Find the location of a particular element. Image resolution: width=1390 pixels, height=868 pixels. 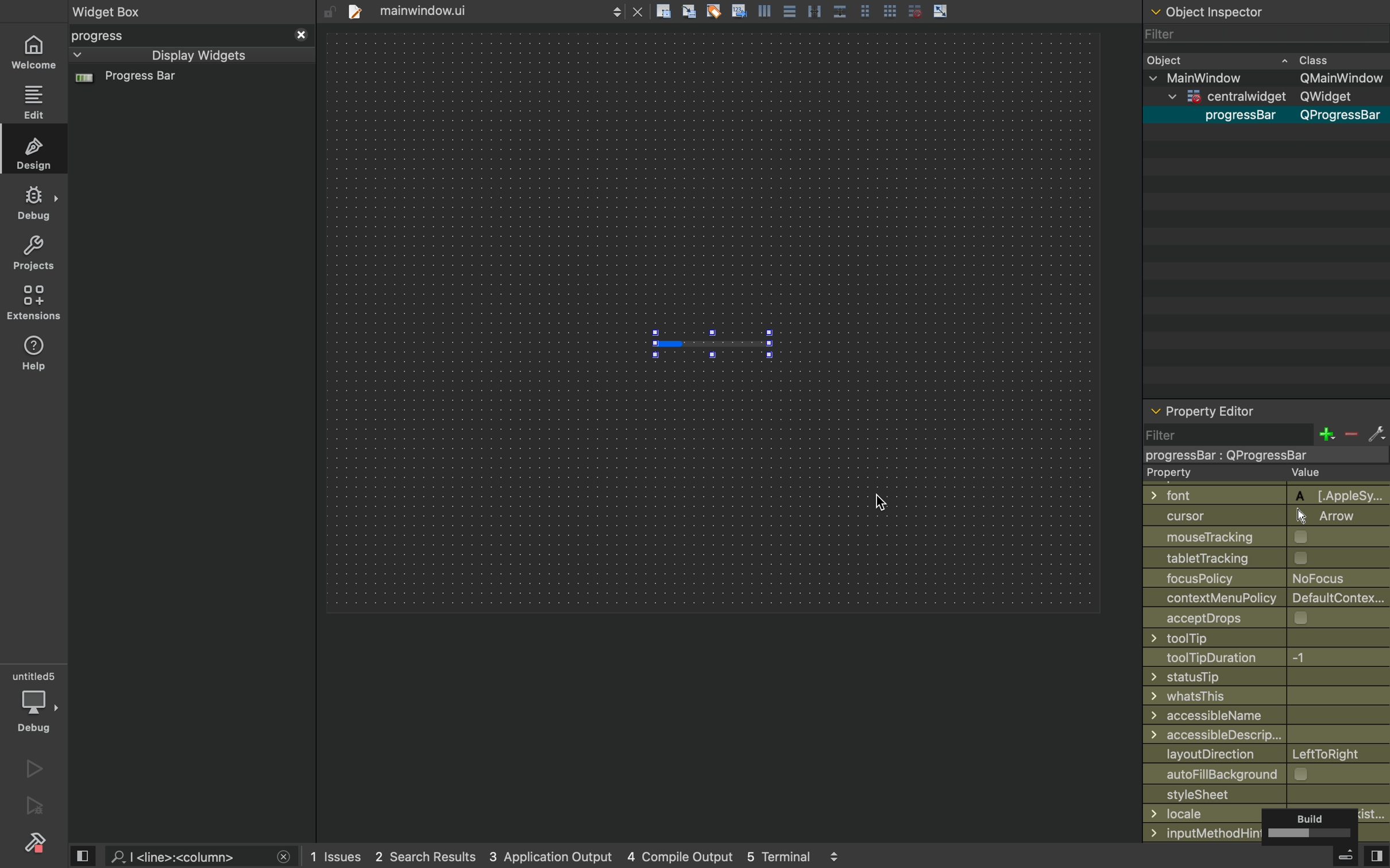

ProgressBar is located at coordinates (1235, 116).